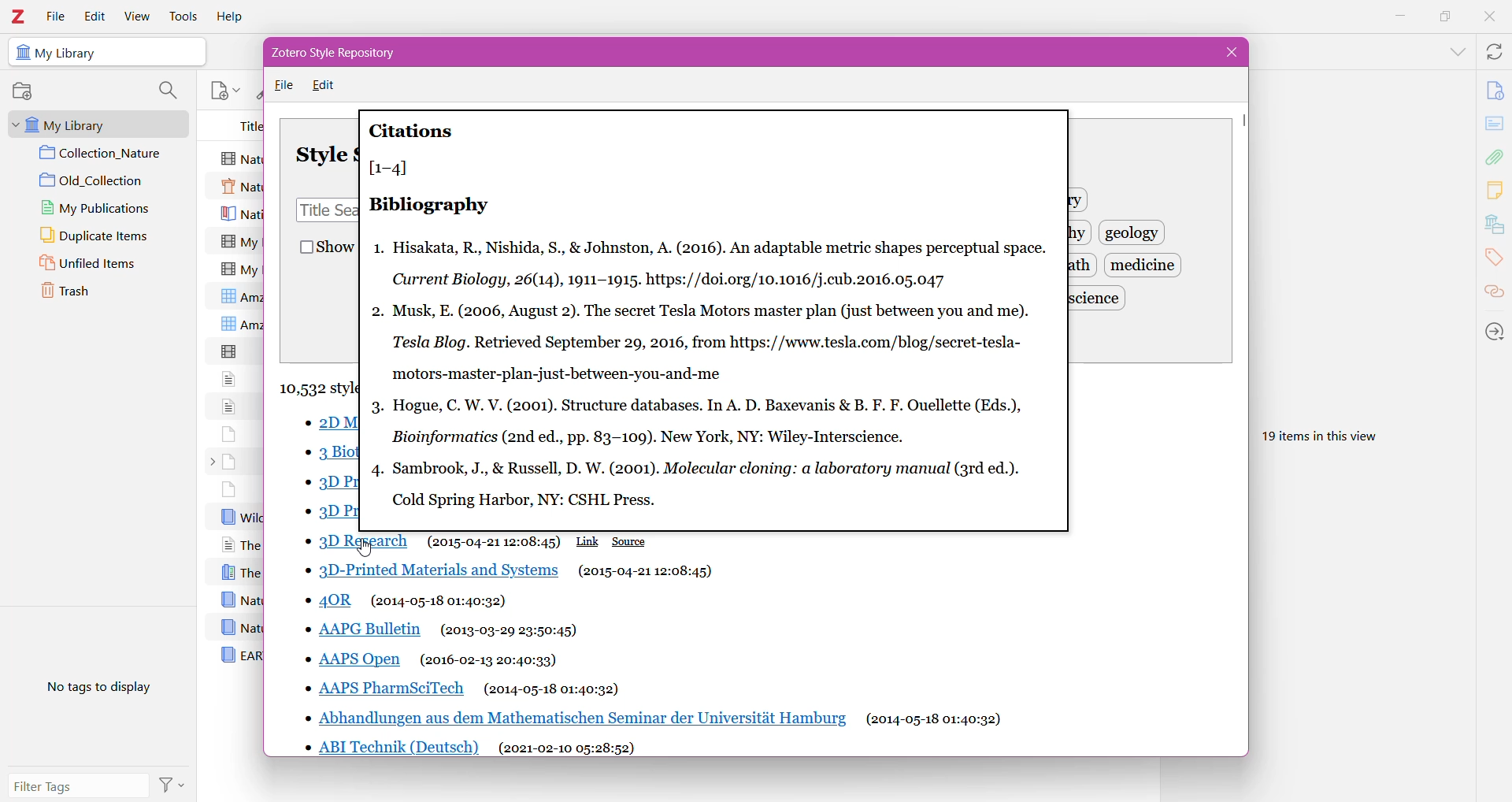 The width and height of the screenshot is (1512, 802). Describe the element at coordinates (230, 489) in the screenshot. I see `file without title` at that location.